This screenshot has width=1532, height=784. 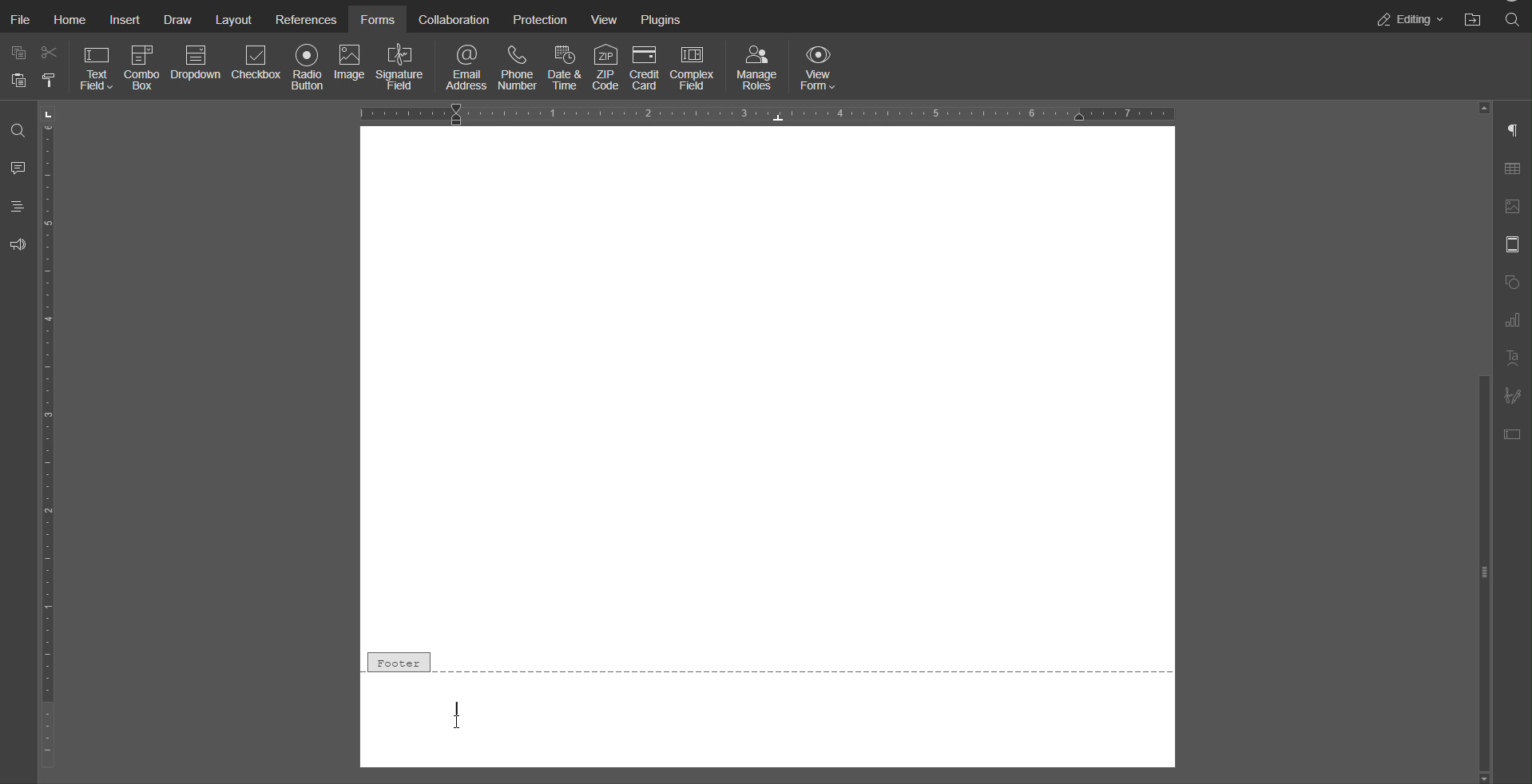 What do you see at coordinates (1512, 133) in the screenshot?
I see `Paragraph Settings` at bounding box center [1512, 133].